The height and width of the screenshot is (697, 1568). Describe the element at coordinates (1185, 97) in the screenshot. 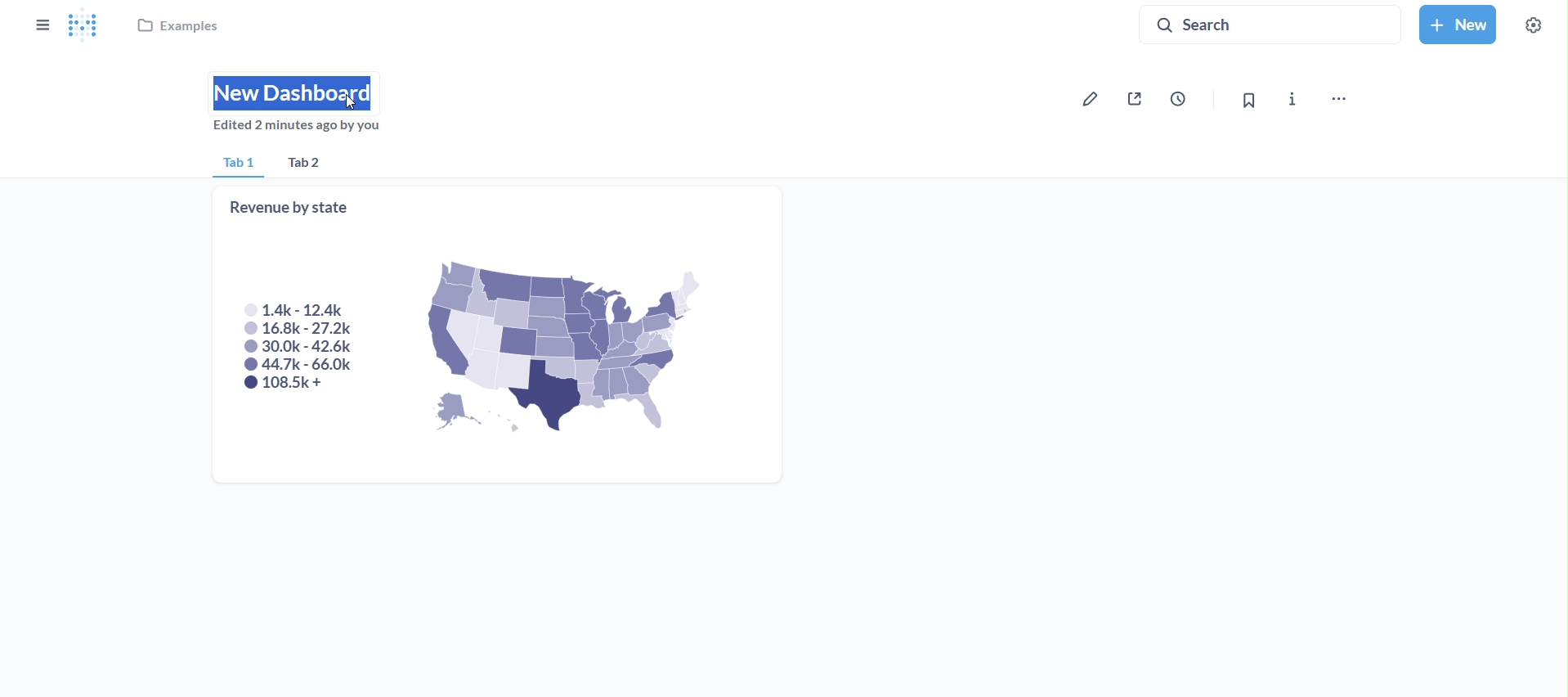

I see `auto refresh` at that location.